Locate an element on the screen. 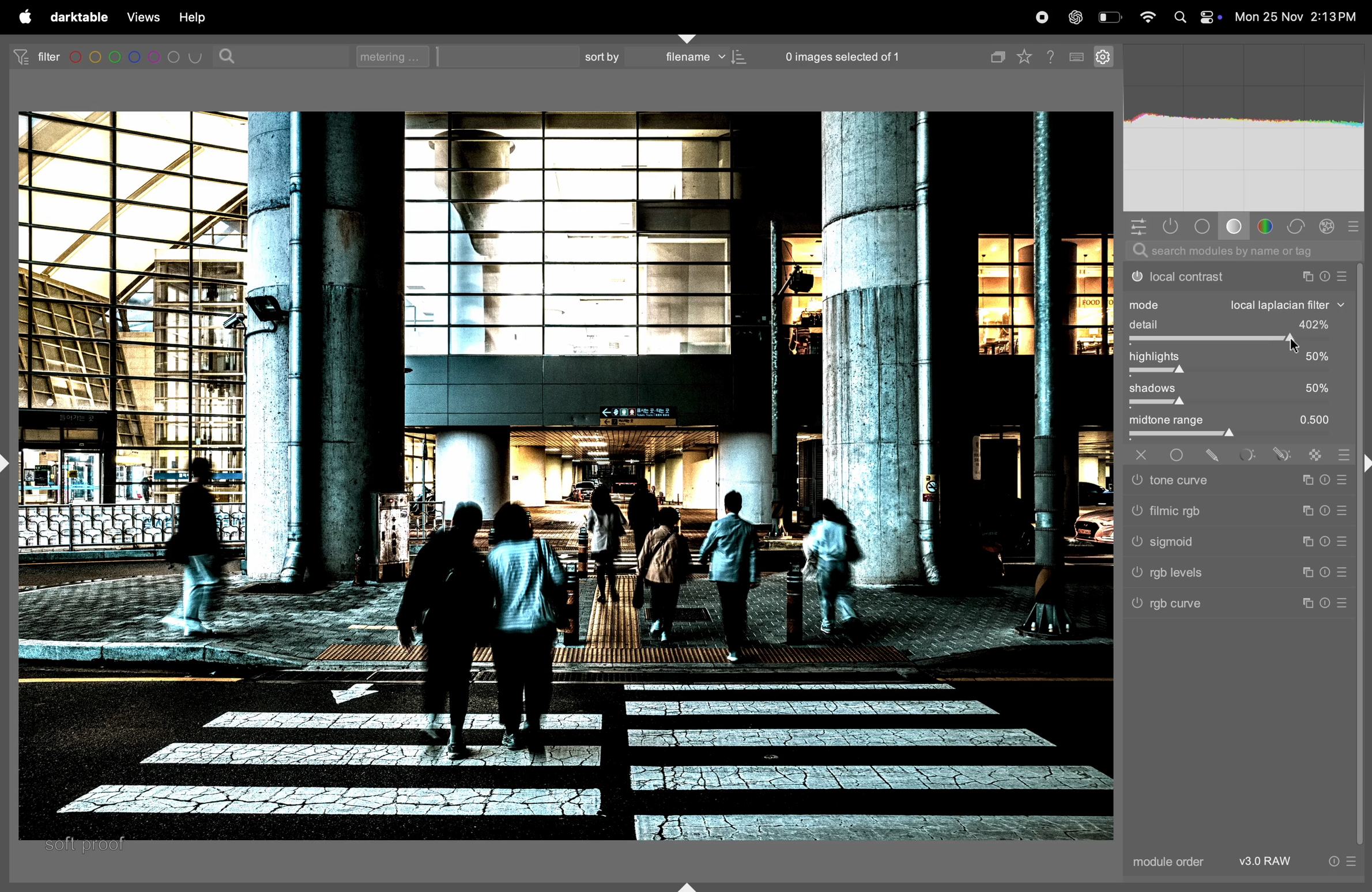  metering is located at coordinates (397, 56).